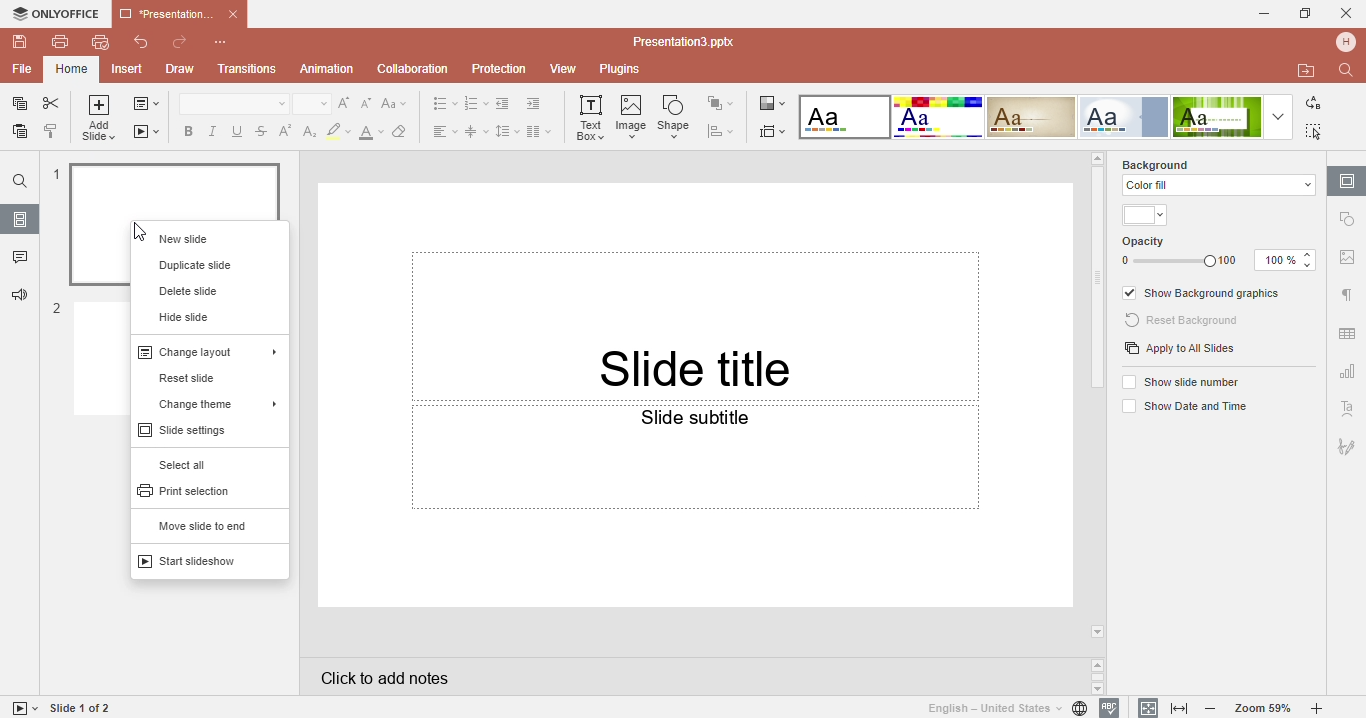  What do you see at coordinates (192, 465) in the screenshot?
I see `Select all` at bounding box center [192, 465].